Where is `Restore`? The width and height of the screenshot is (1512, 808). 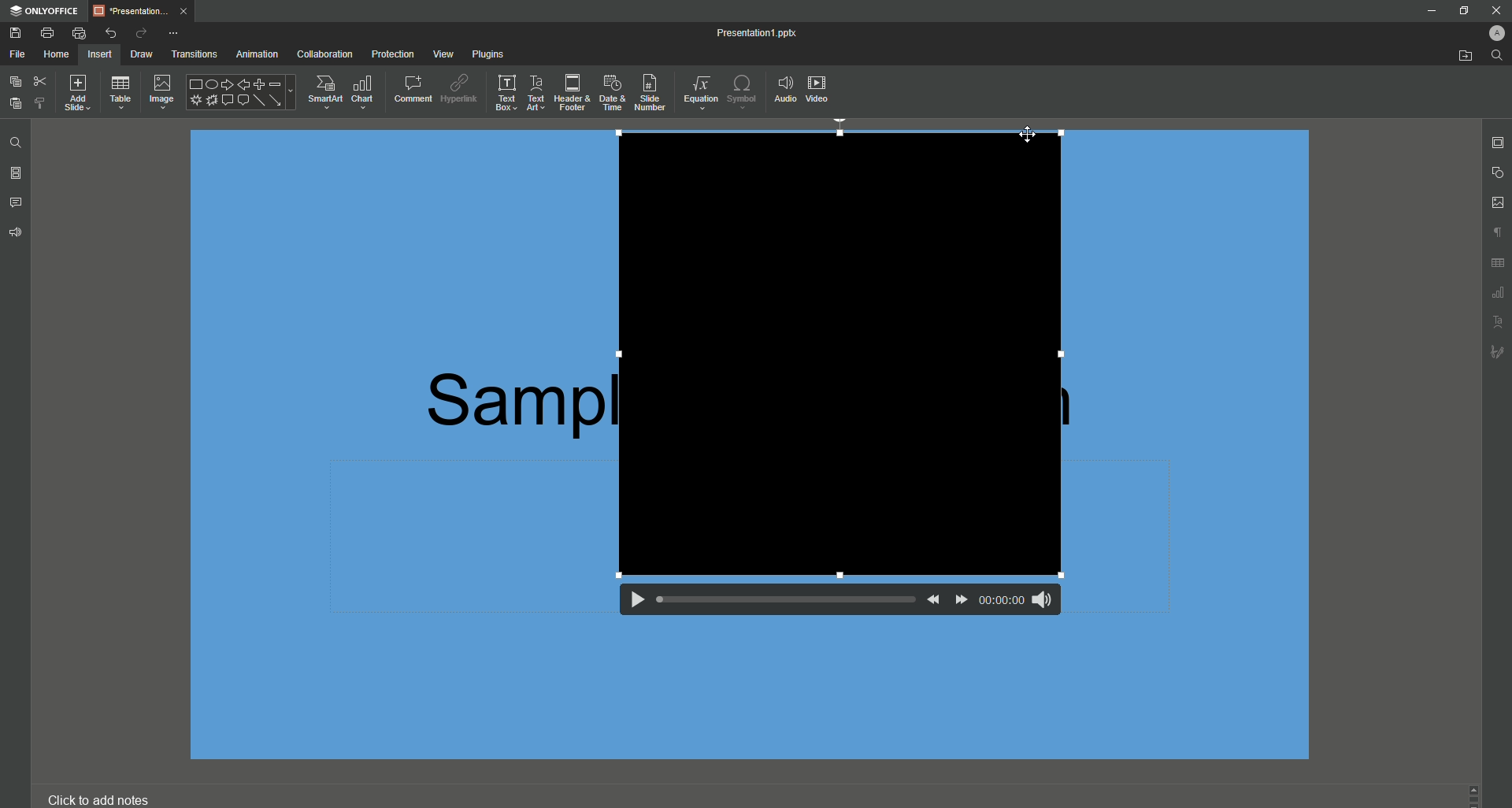
Restore is located at coordinates (1463, 11).